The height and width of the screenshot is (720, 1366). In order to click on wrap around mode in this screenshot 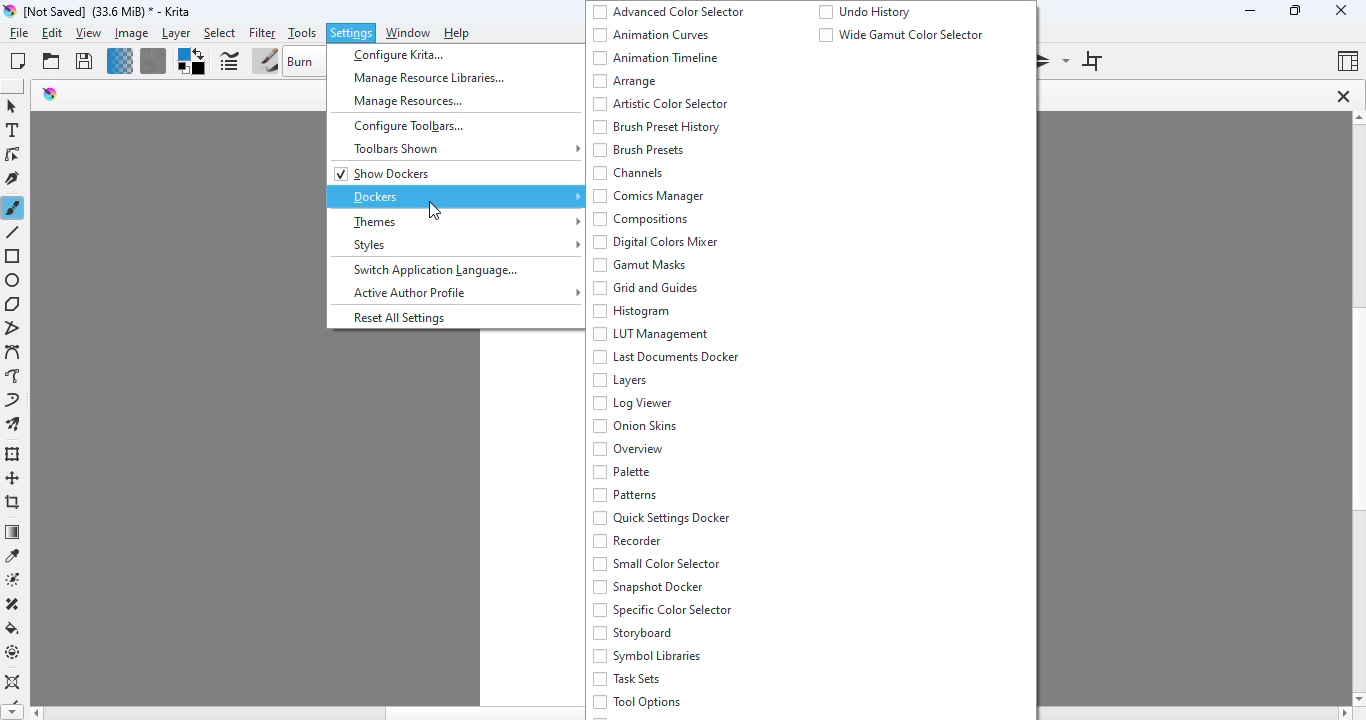, I will do `click(1092, 61)`.